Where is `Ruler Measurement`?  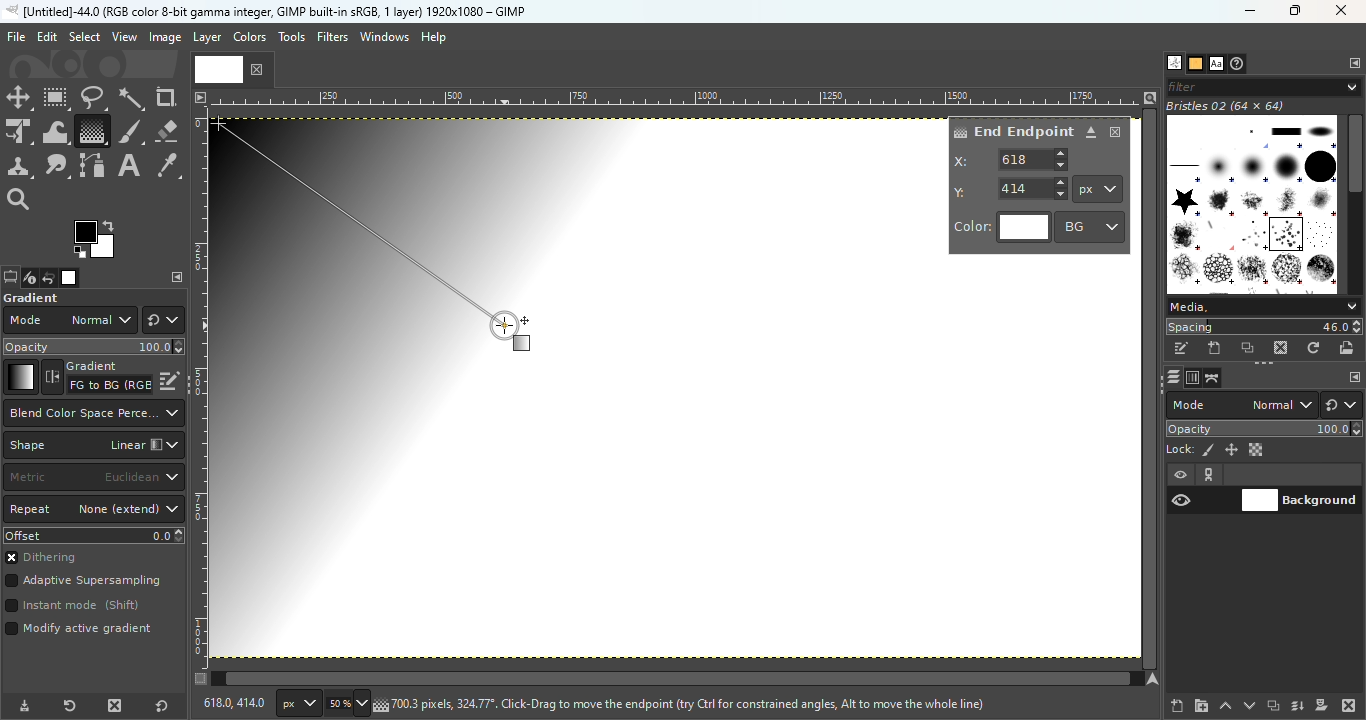
Ruler Measurement is located at coordinates (677, 97).